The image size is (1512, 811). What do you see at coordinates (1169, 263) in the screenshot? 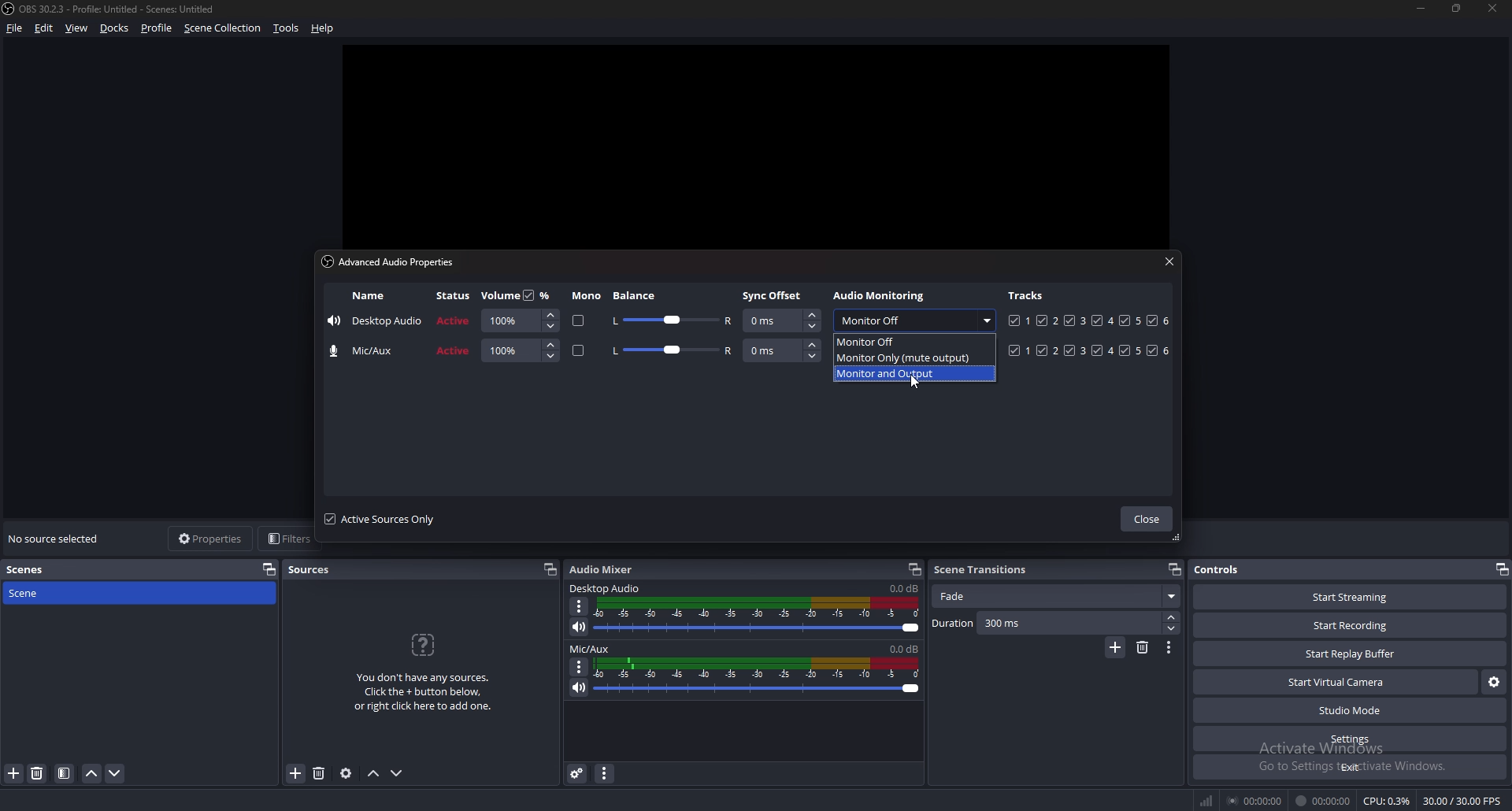
I see `close` at bounding box center [1169, 263].